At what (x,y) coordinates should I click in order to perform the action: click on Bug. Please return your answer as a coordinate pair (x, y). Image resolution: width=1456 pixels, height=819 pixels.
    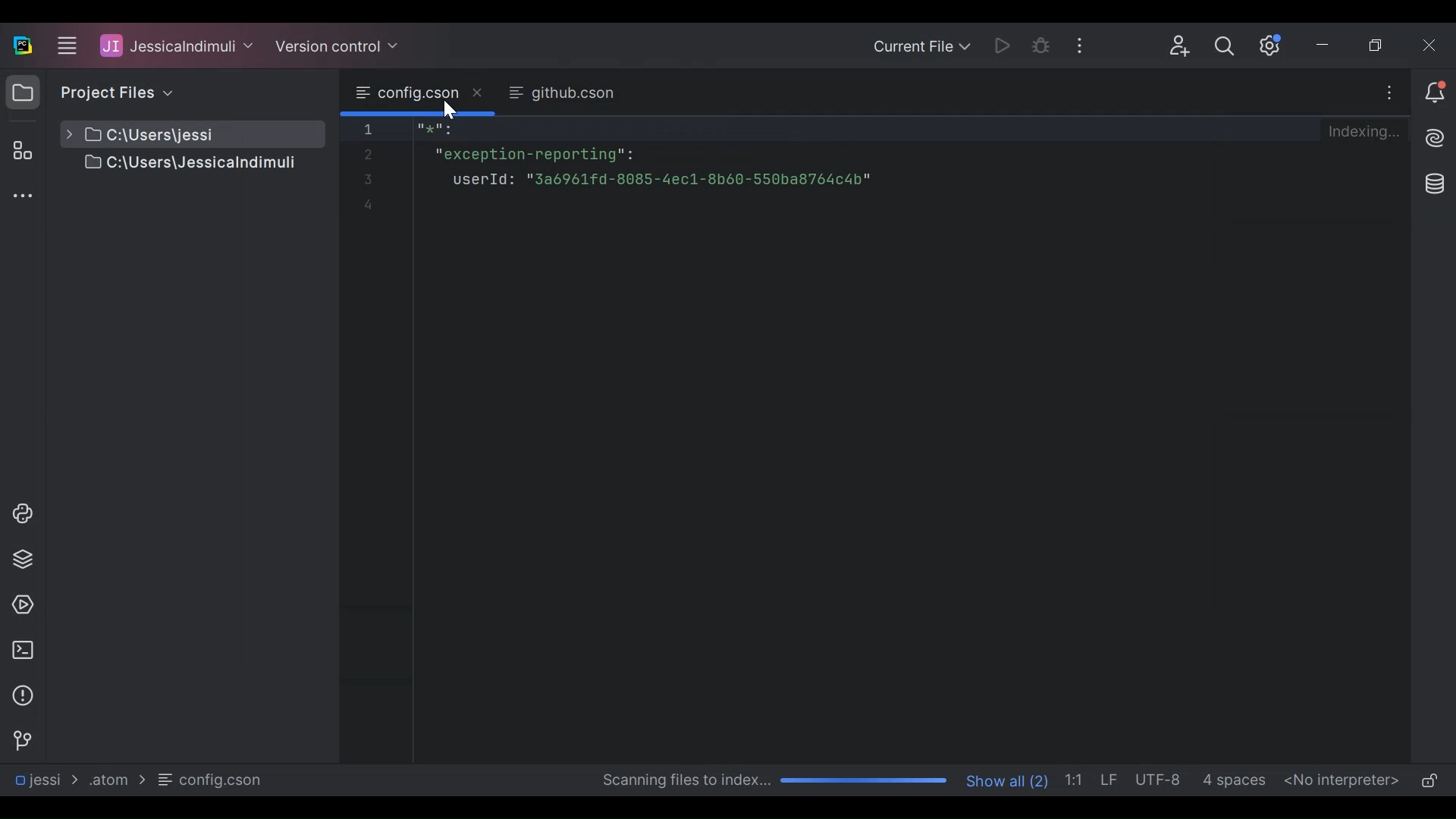
    Looking at the image, I should click on (1041, 45).